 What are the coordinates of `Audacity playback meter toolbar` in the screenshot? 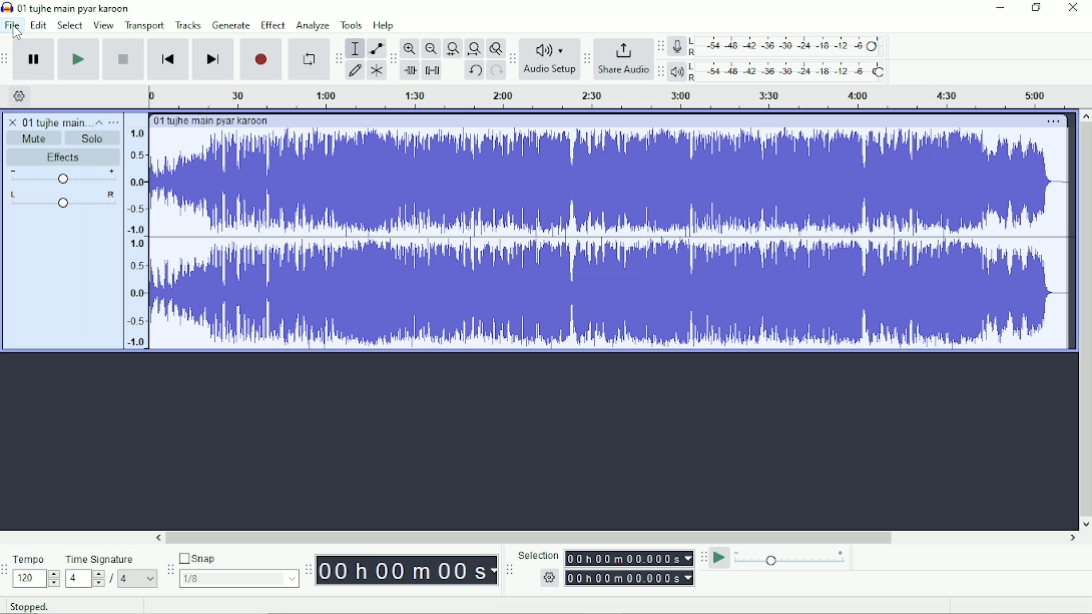 It's located at (662, 71).